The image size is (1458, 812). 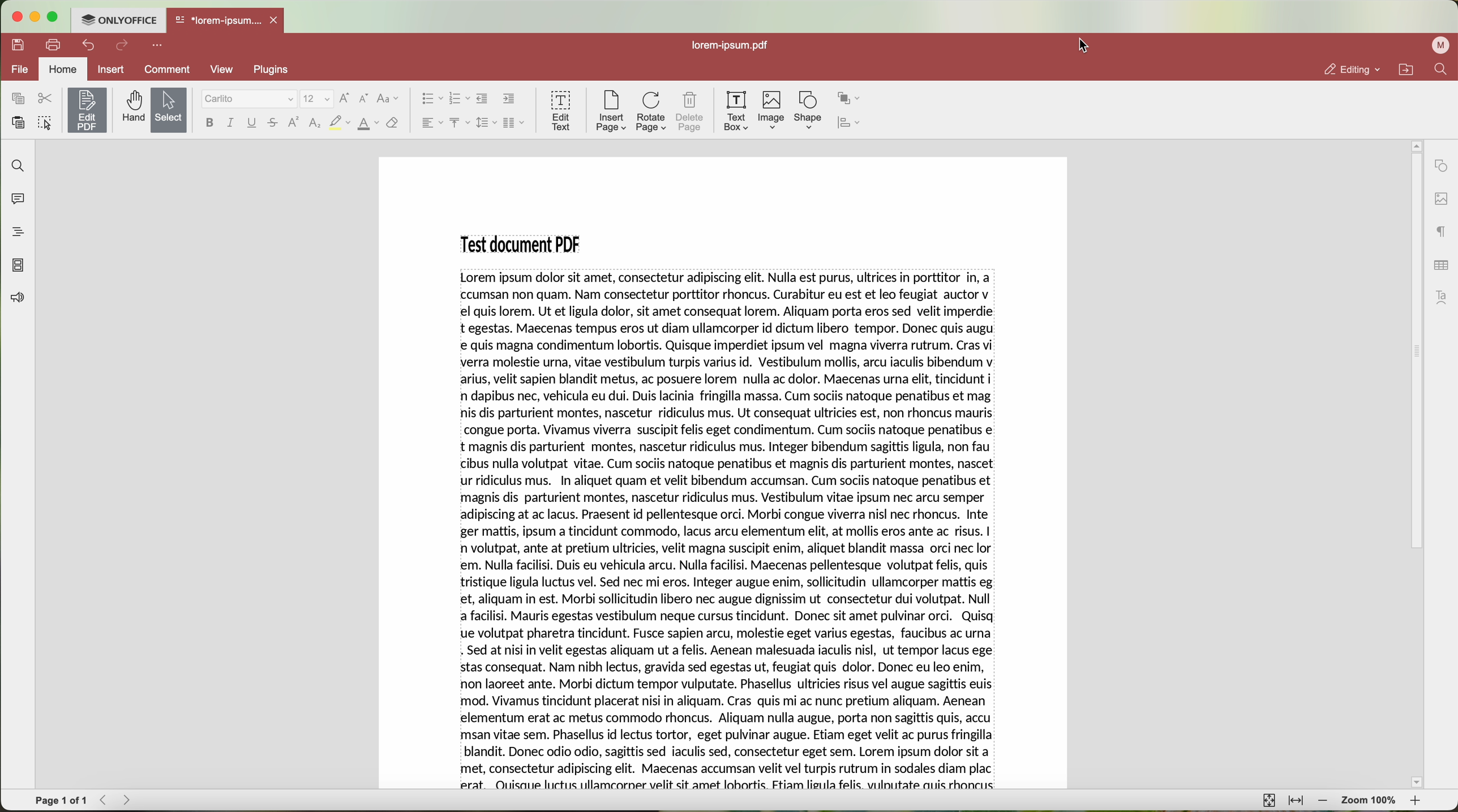 What do you see at coordinates (87, 46) in the screenshot?
I see `undo` at bounding box center [87, 46].